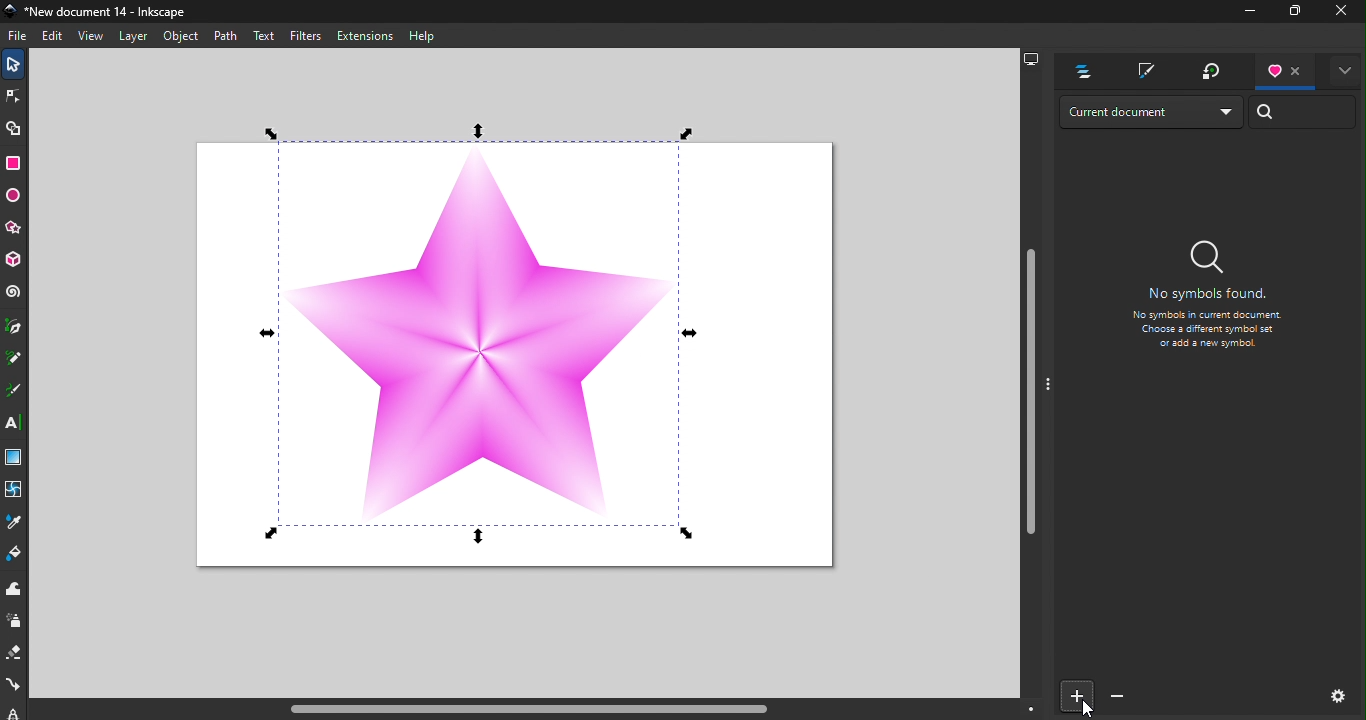  Describe the element at coordinates (179, 36) in the screenshot. I see `Object` at that location.